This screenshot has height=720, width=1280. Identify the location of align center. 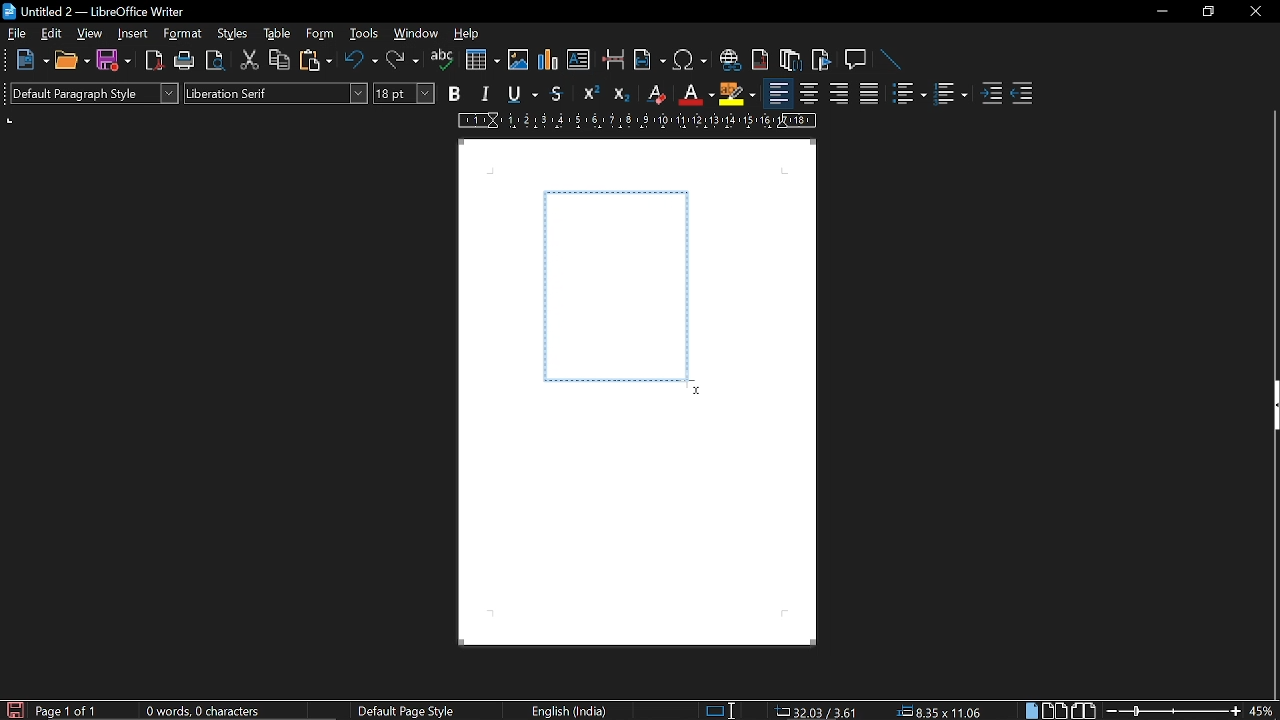
(809, 95).